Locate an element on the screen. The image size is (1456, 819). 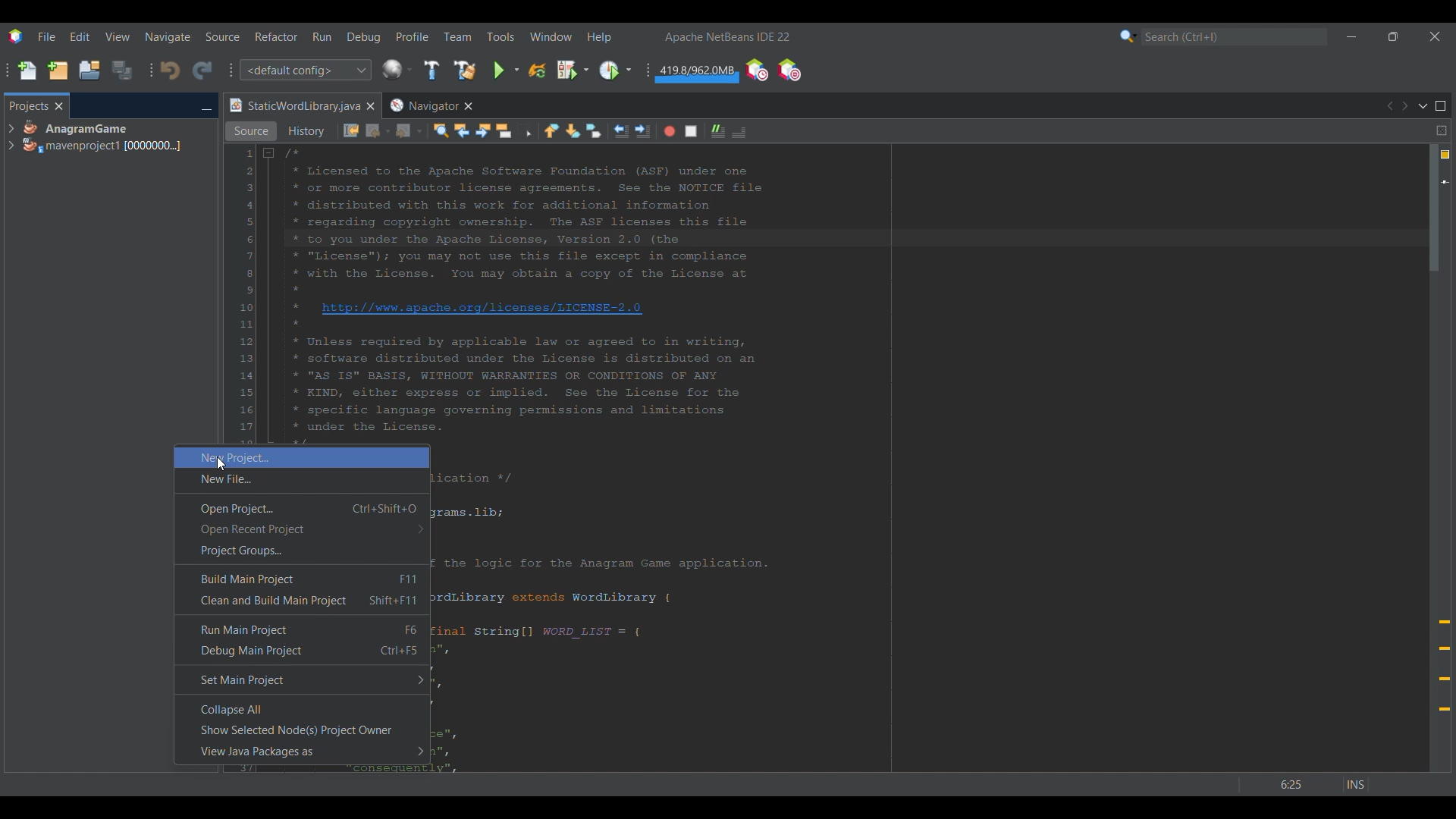
Find next occurrence is located at coordinates (483, 130).